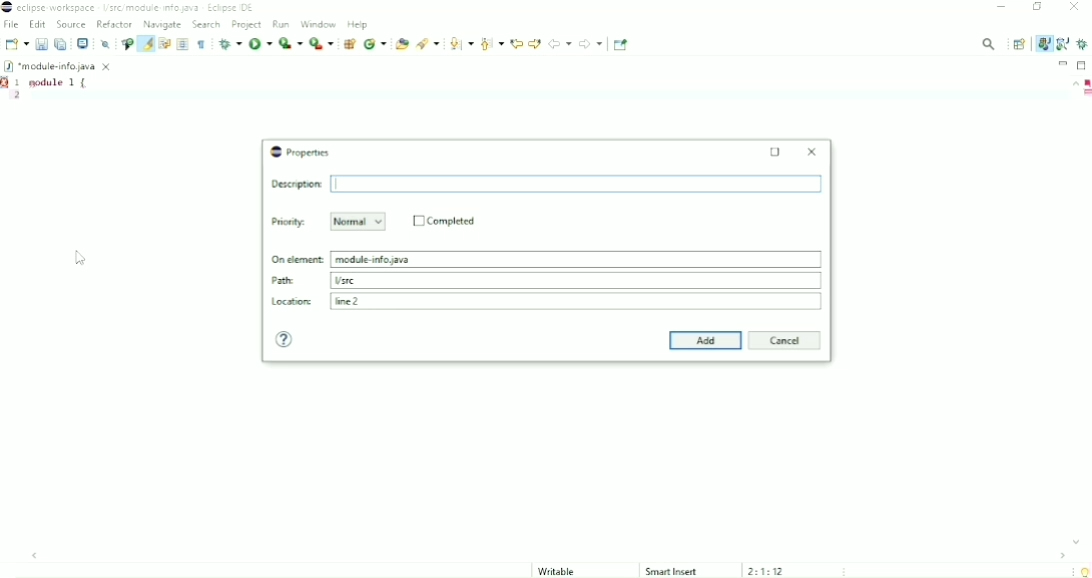  Describe the element at coordinates (59, 66) in the screenshot. I see `*module-info.java` at that location.